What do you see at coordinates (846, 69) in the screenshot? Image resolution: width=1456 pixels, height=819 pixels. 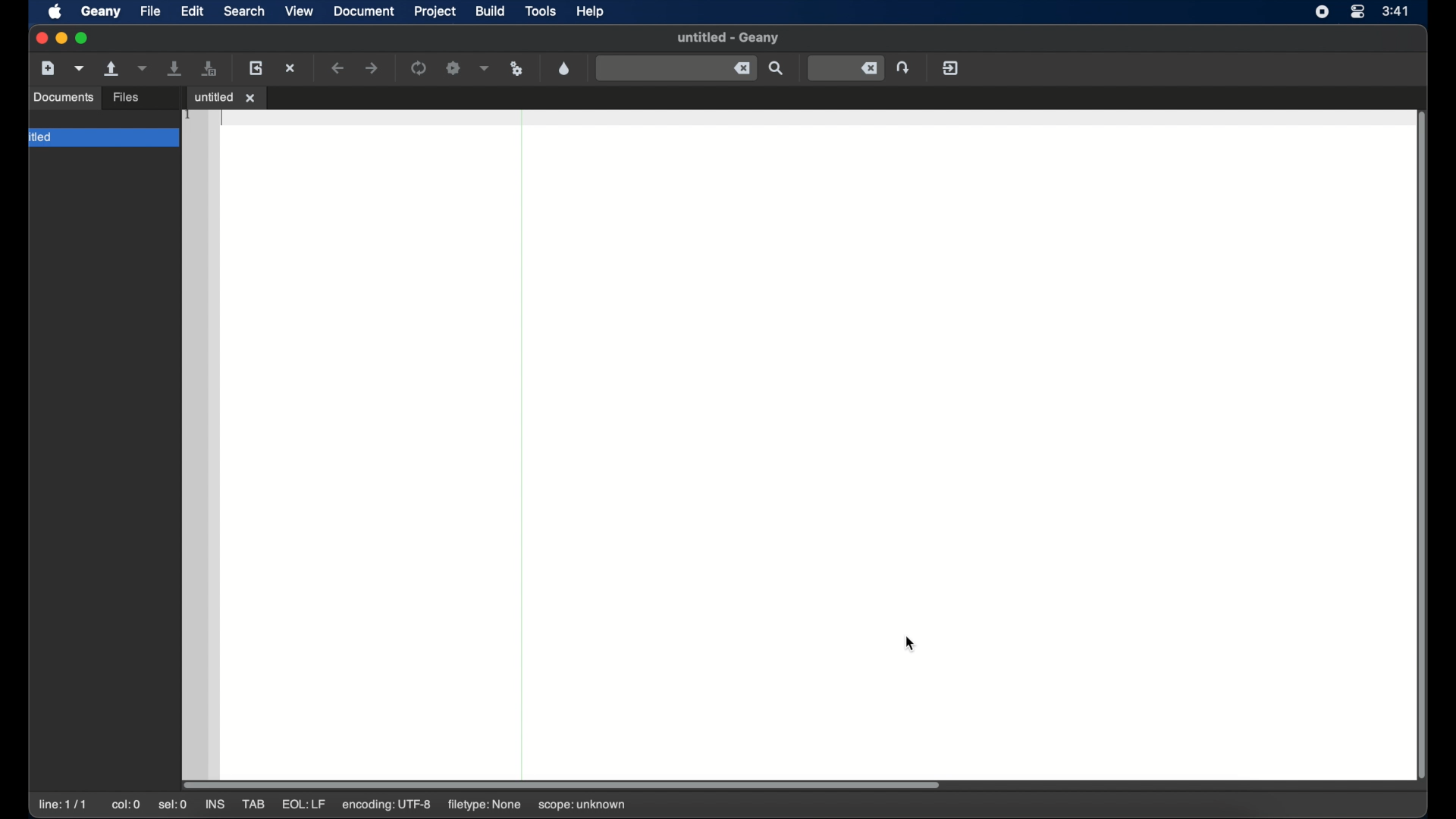 I see `jump to entered line number` at bounding box center [846, 69].